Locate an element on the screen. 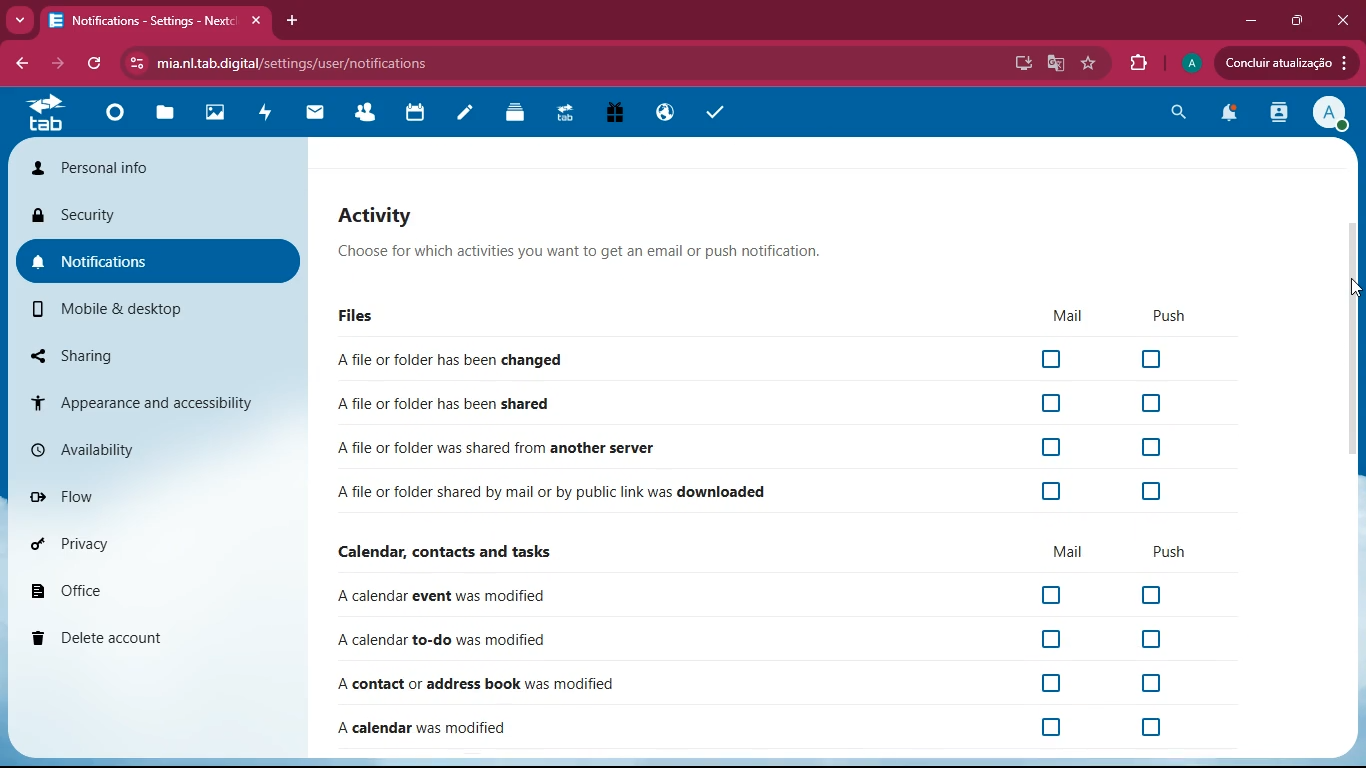 The width and height of the screenshot is (1366, 768). off is located at coordinates (1051, 596).